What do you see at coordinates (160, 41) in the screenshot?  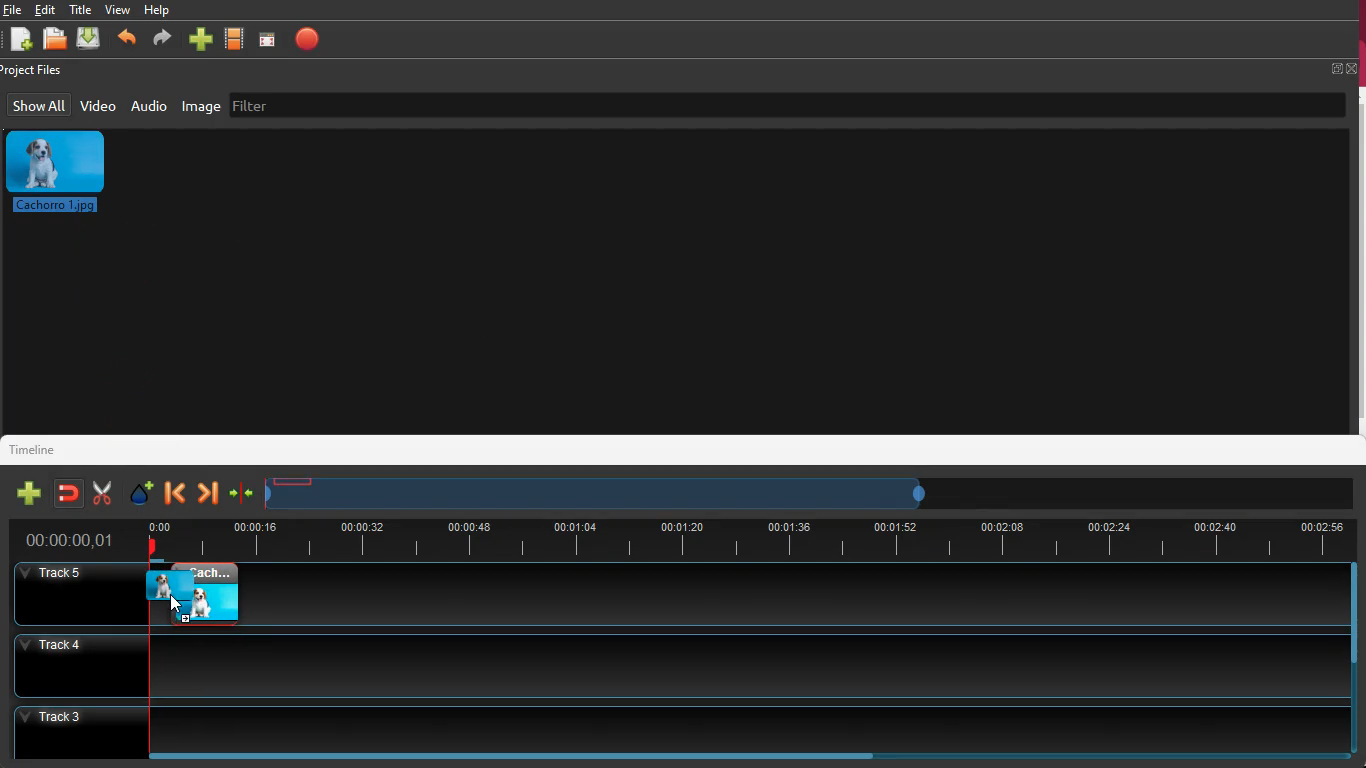 I see `forward` at bounding box center [160, 41].